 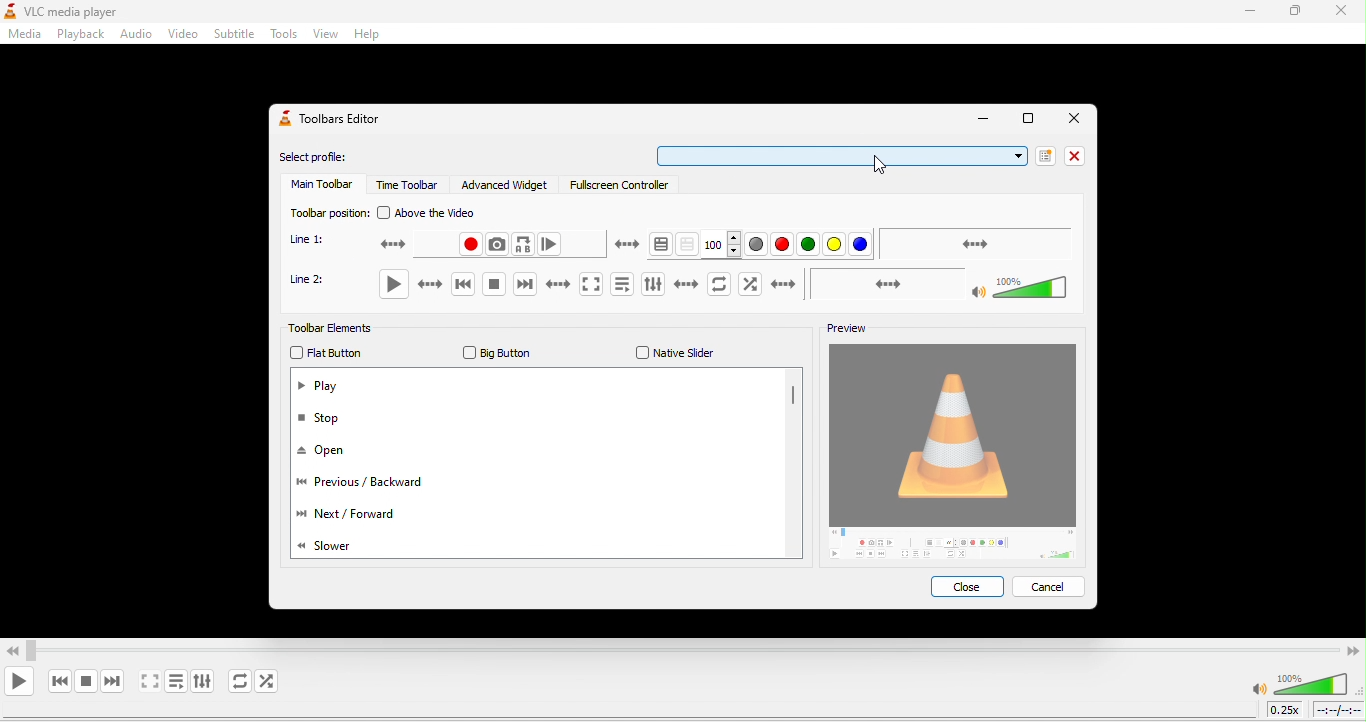 I want to click on take a snapshot, so click(x=498, y=245).